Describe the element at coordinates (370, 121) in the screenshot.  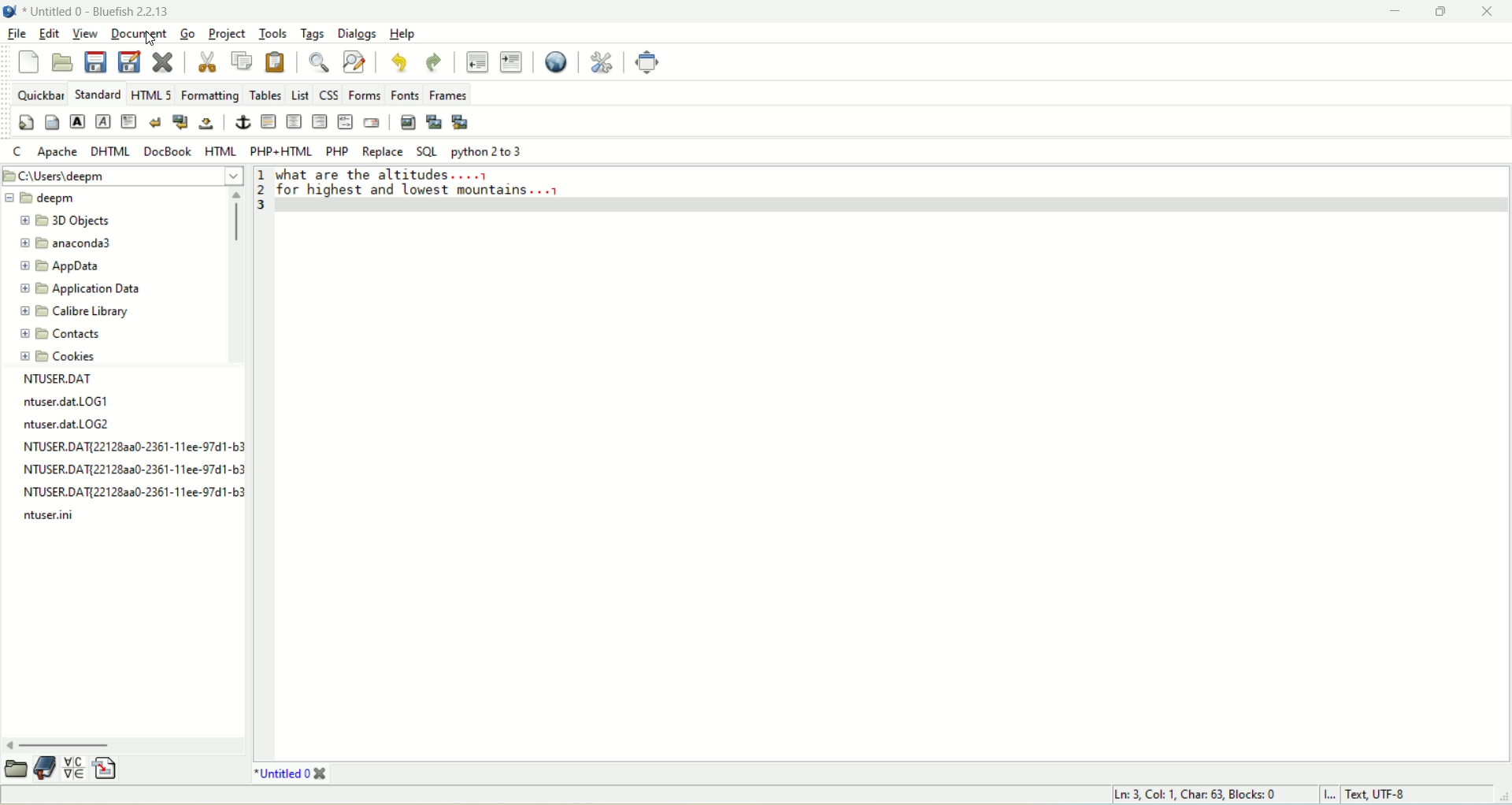
I see `email` at that location.